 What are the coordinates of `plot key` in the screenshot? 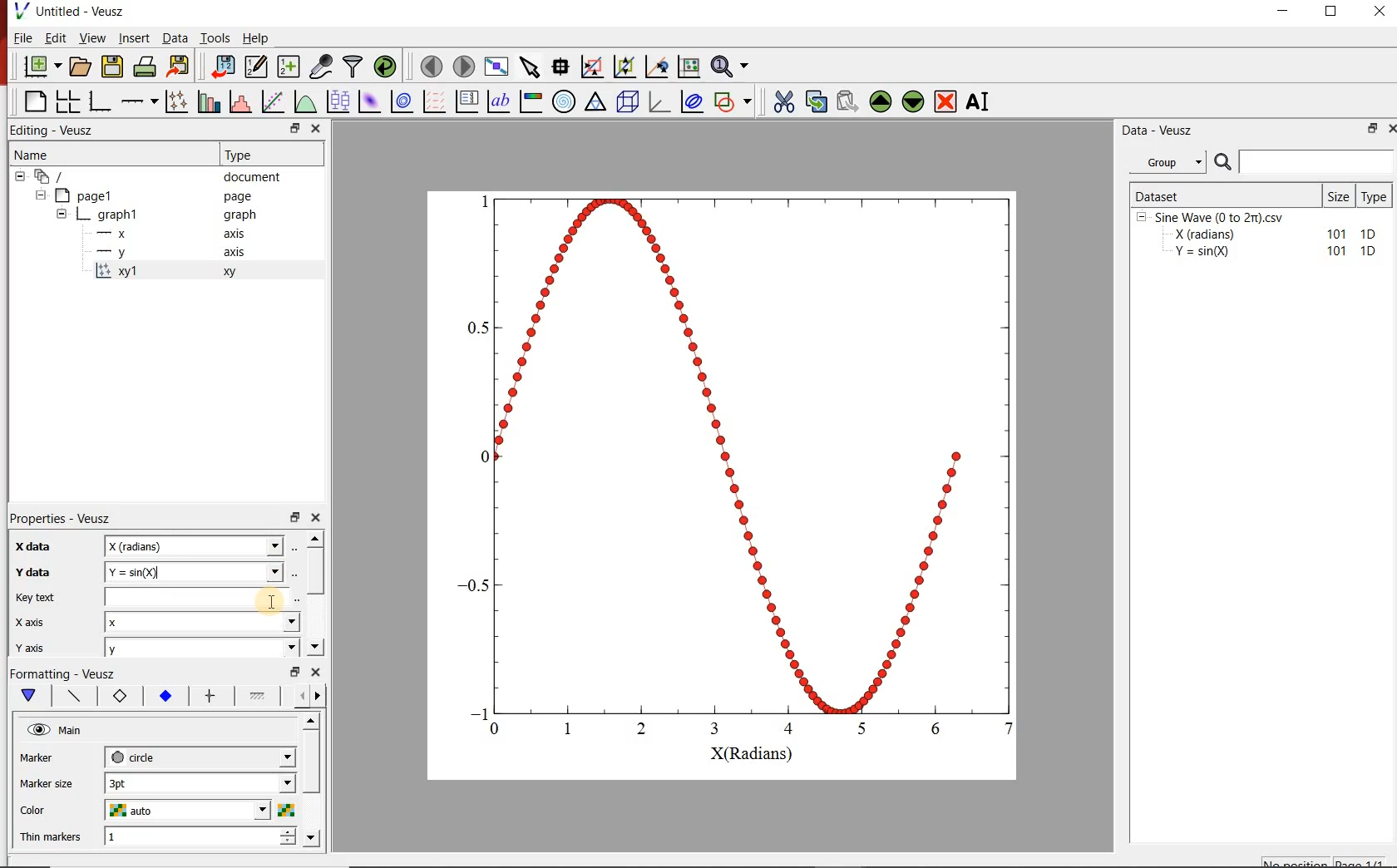 It's located at (468, 101).